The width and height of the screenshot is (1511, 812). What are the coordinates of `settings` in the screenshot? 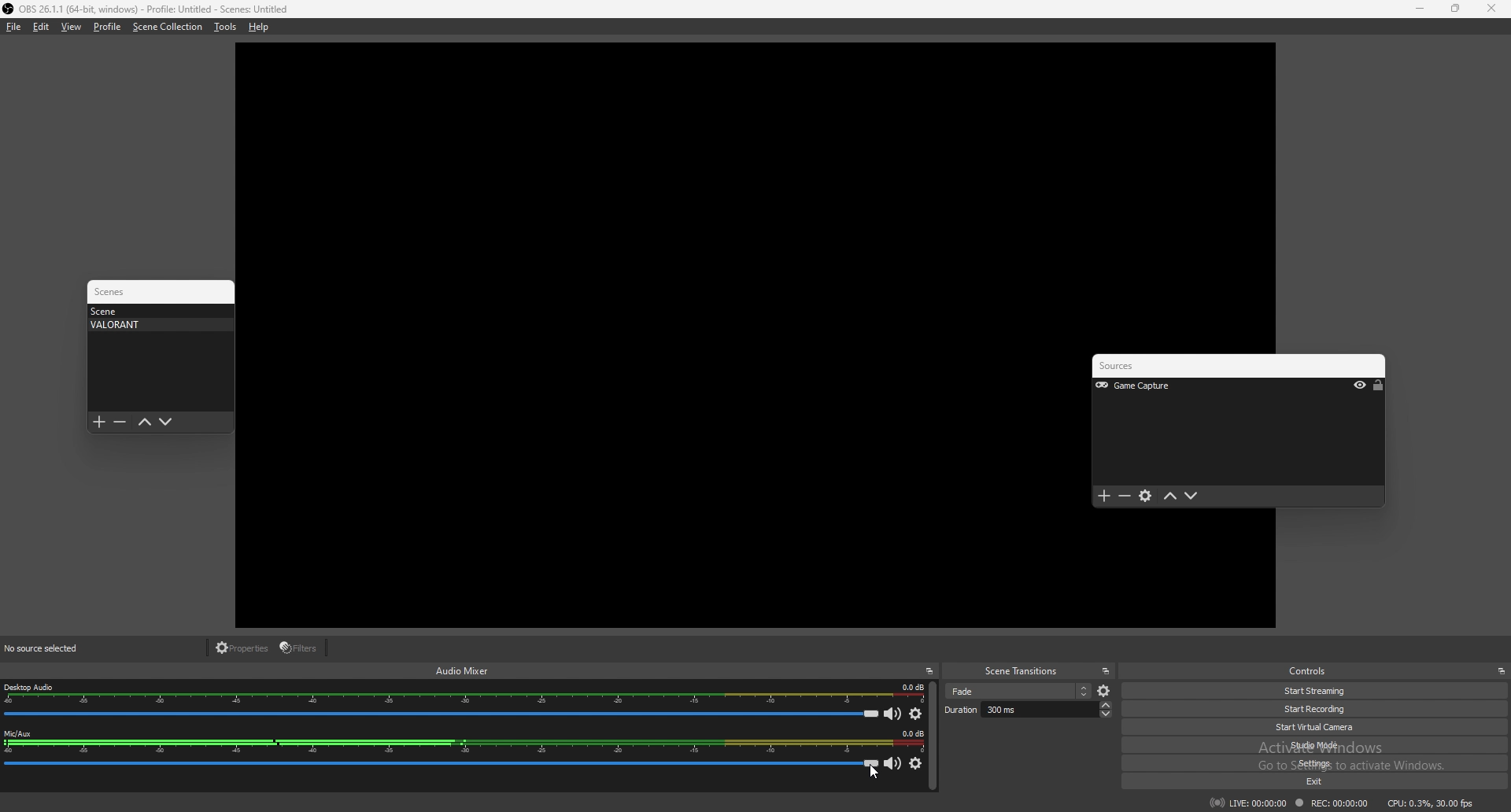 It's located at (1324, 763).